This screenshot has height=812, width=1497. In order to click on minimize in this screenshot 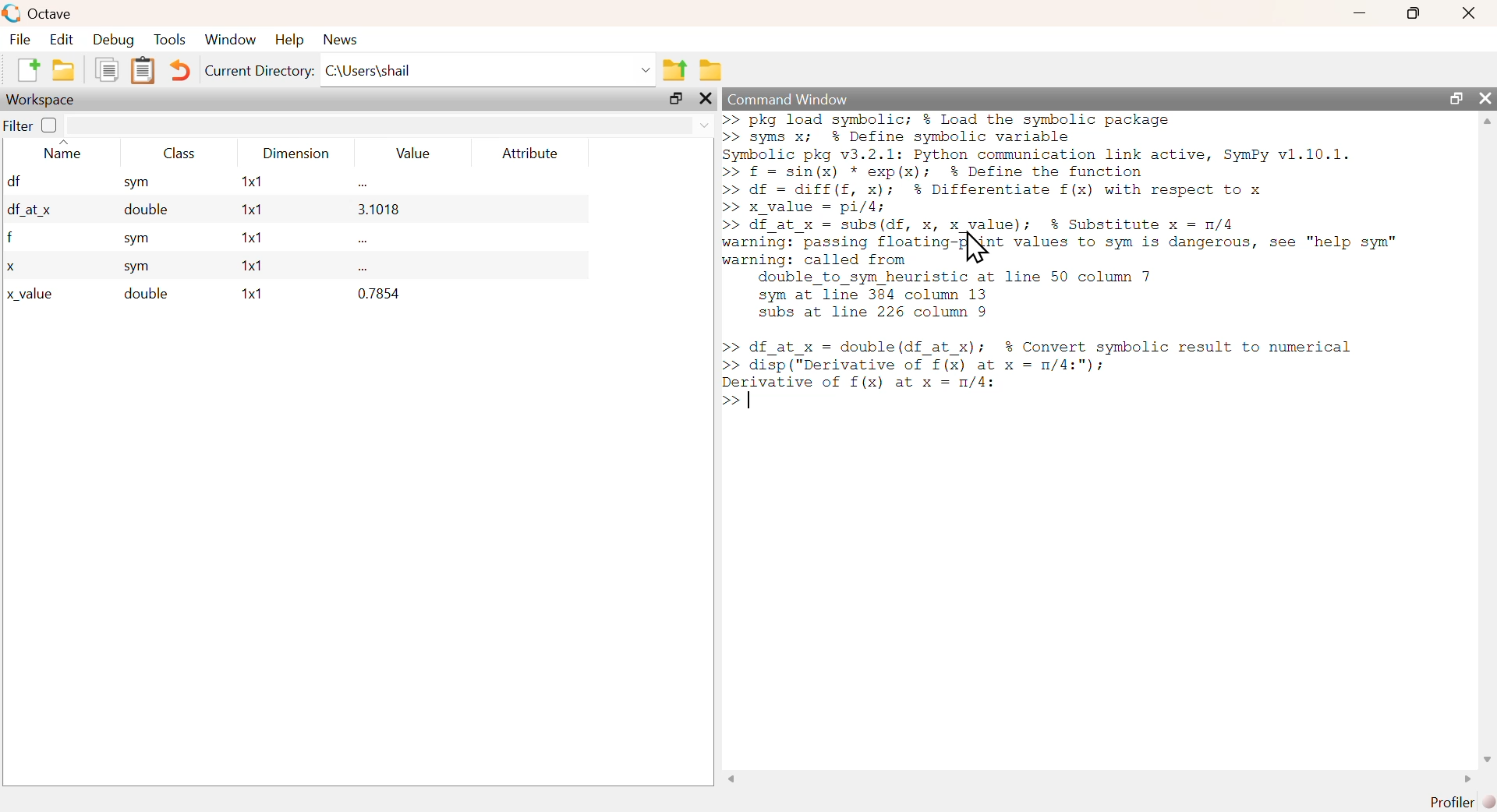, I will do `click(1360, 13)`.